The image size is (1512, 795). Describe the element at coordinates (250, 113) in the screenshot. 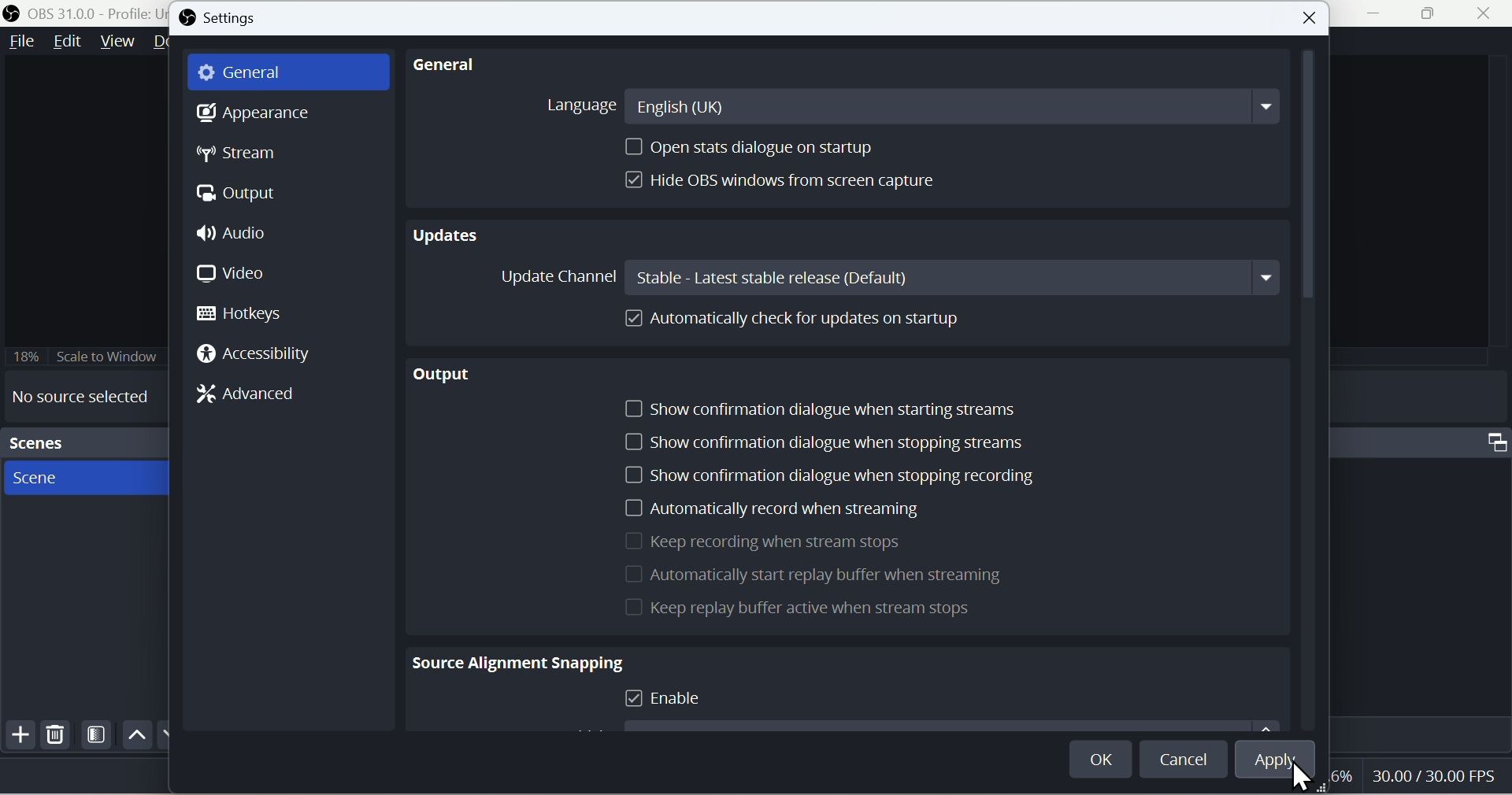

I see `Appearance` at that location.